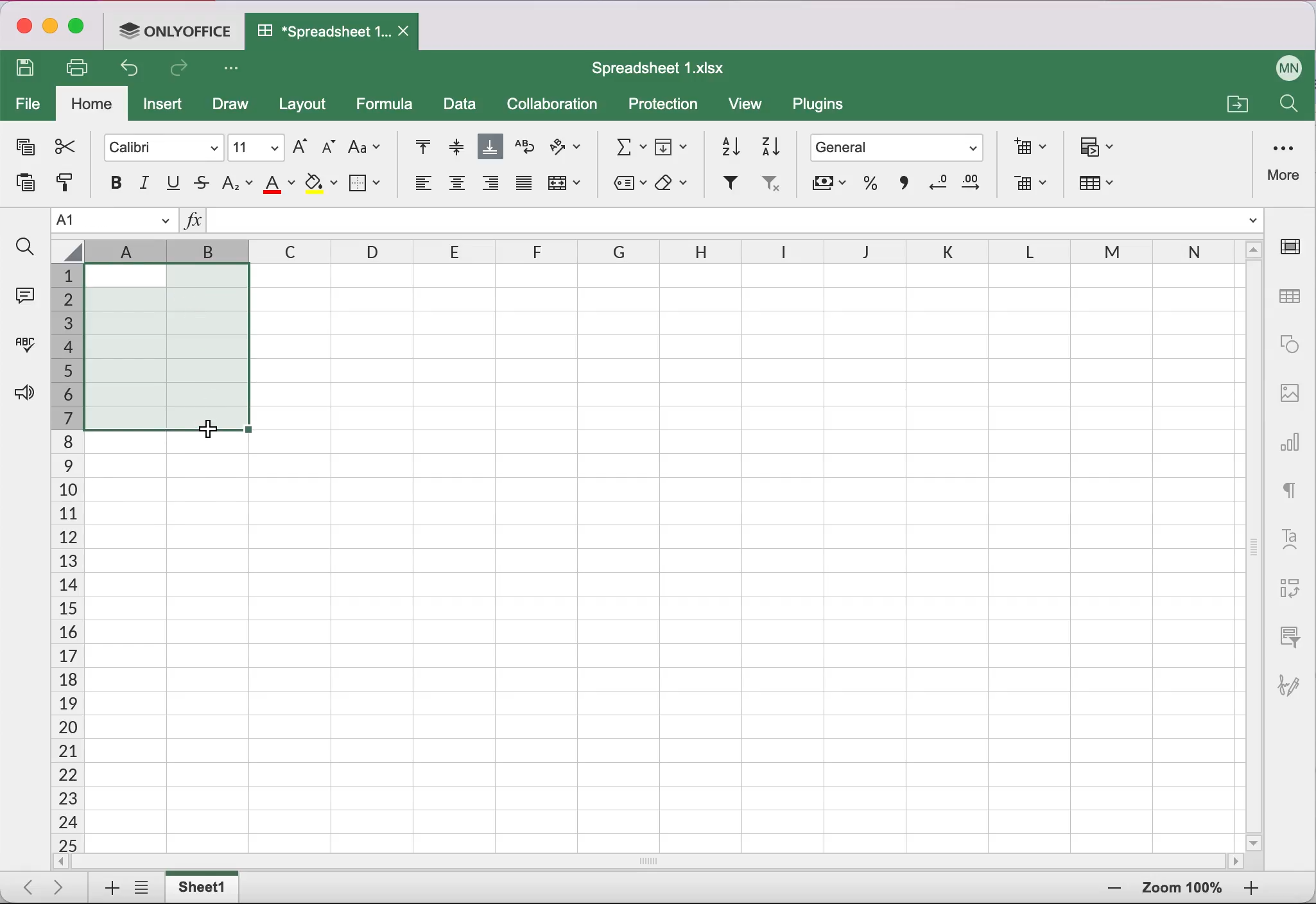 The image size is (1316, 904). What do you see at coordinates (166, 346) in the screenshot?
I see `selected cells` at bounding box center [166, 346].